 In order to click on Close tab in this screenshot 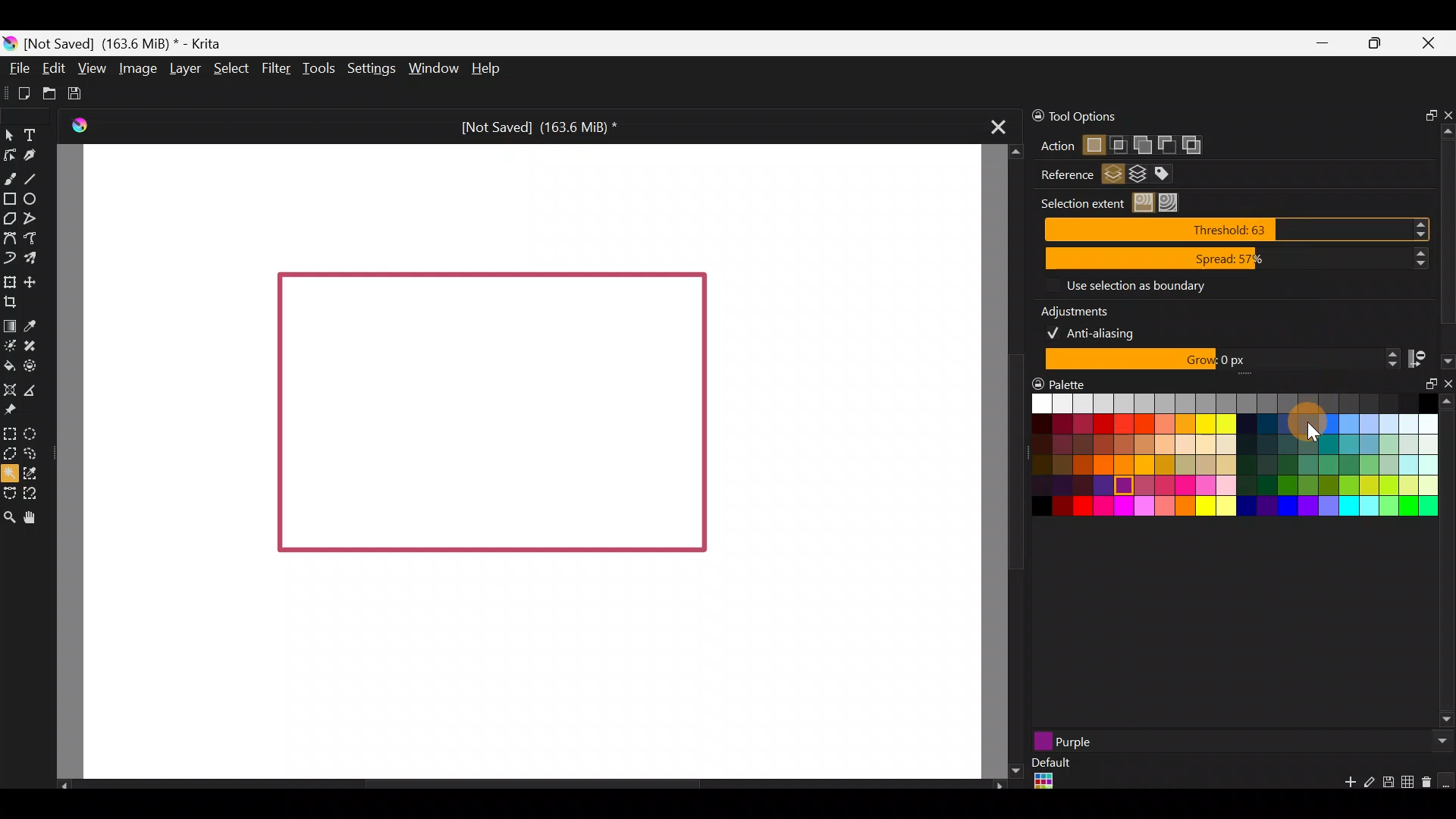, I will do `click(999, 131)`.